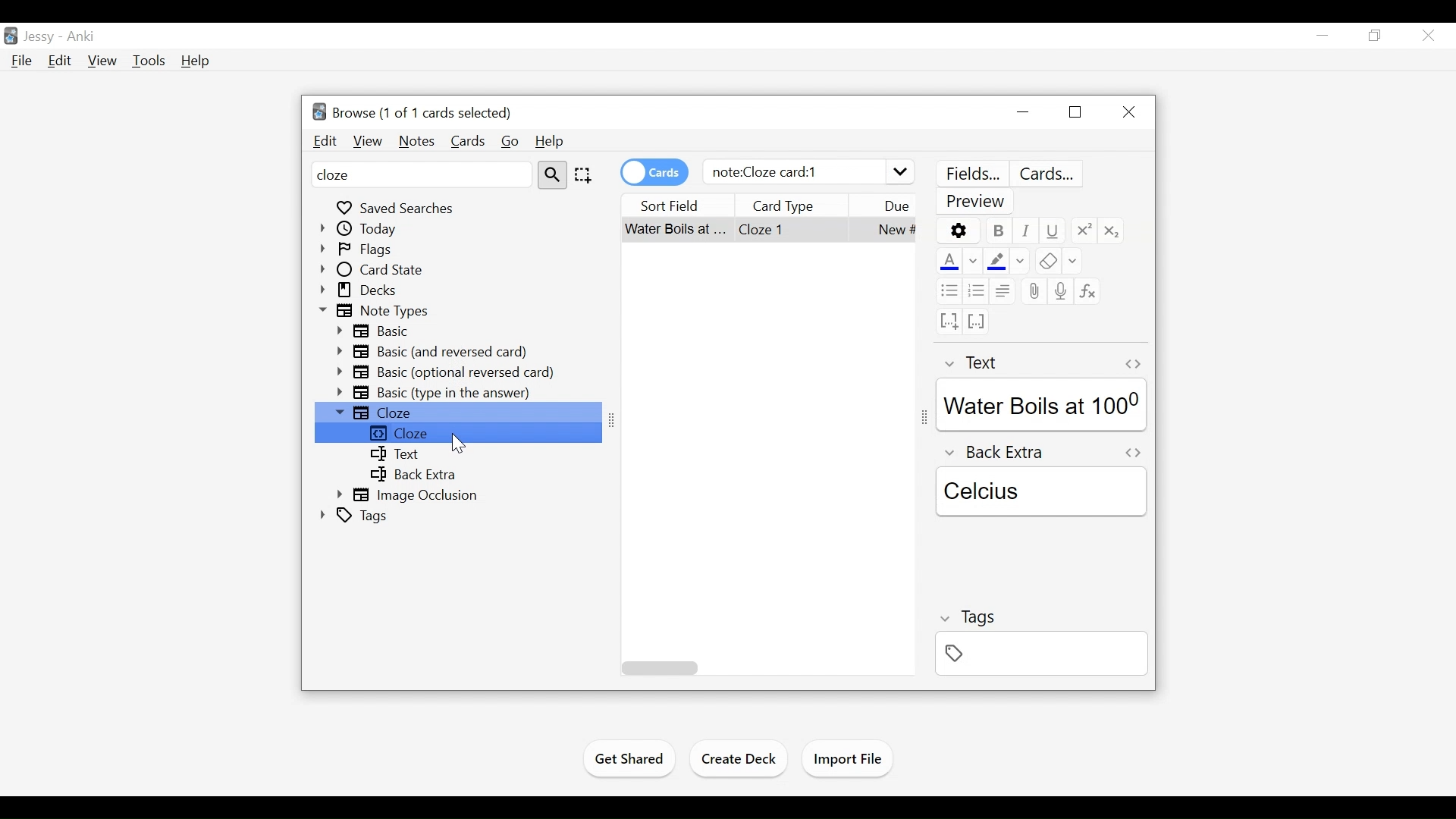 This screenshot has height=819, width=1456. I want to click on File, so click(24, 61).